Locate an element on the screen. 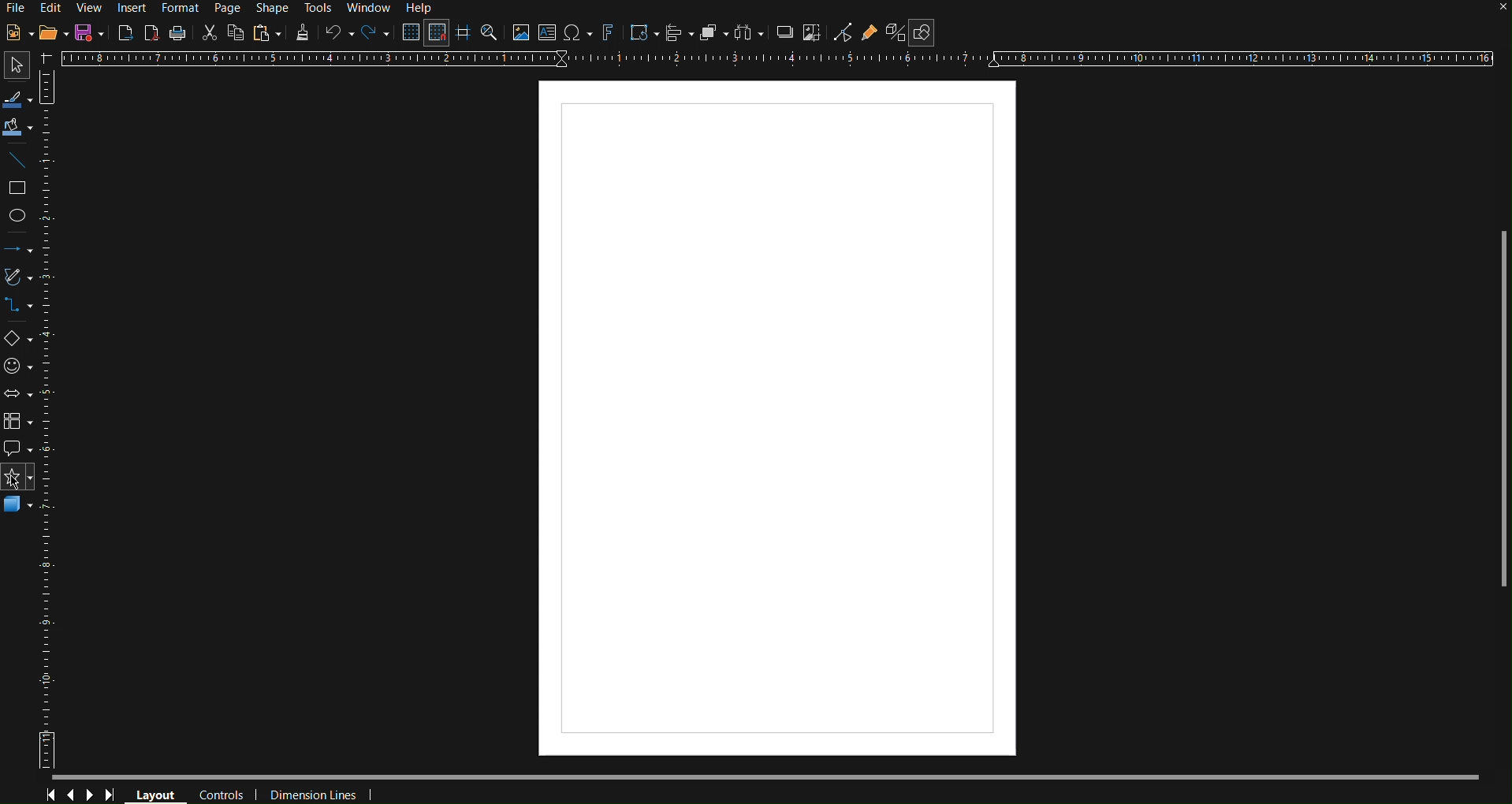 Image resolution: width=1512 pixels, height=804 pixels. Window is located at coordinates (370, 7).